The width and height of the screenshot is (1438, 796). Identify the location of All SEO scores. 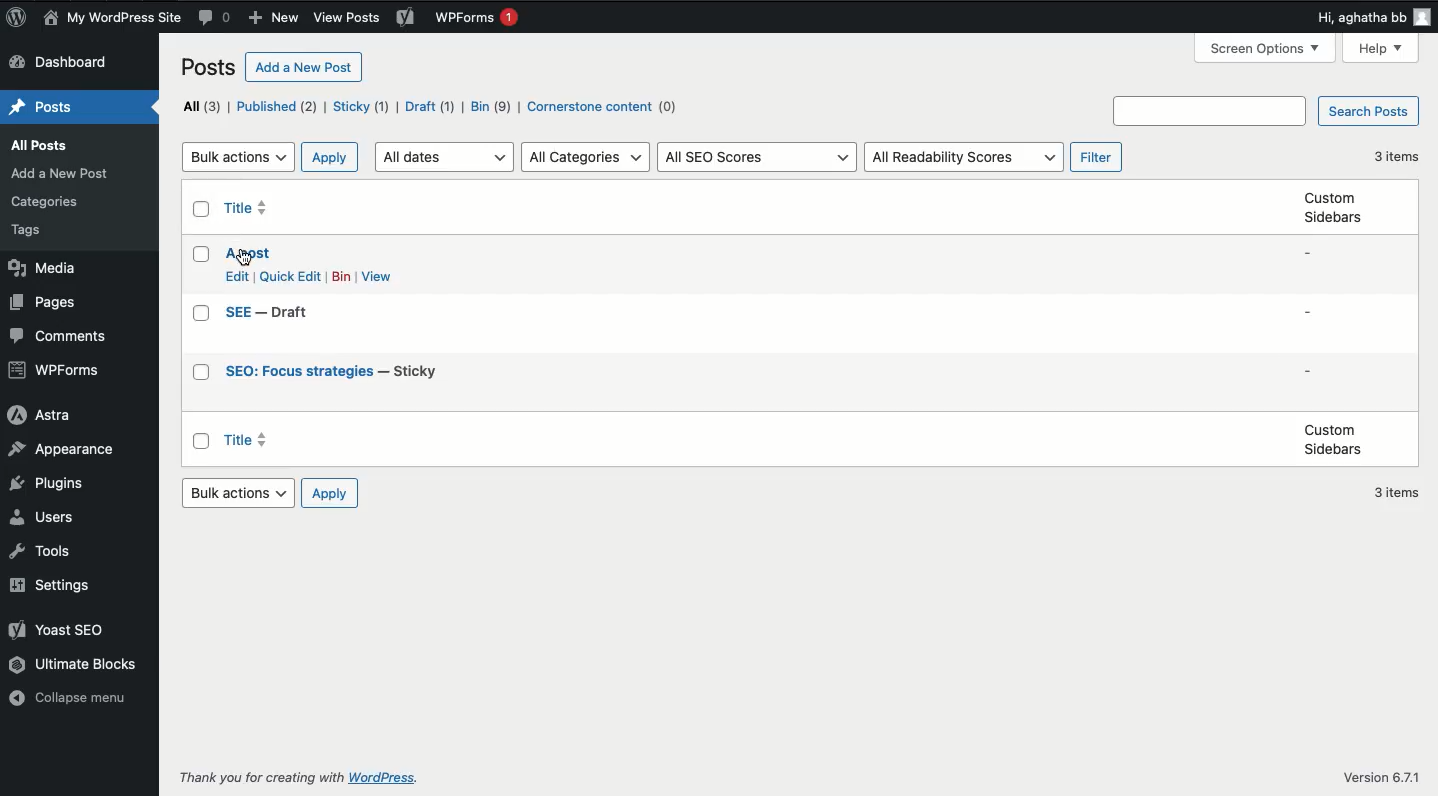
(757, 157).